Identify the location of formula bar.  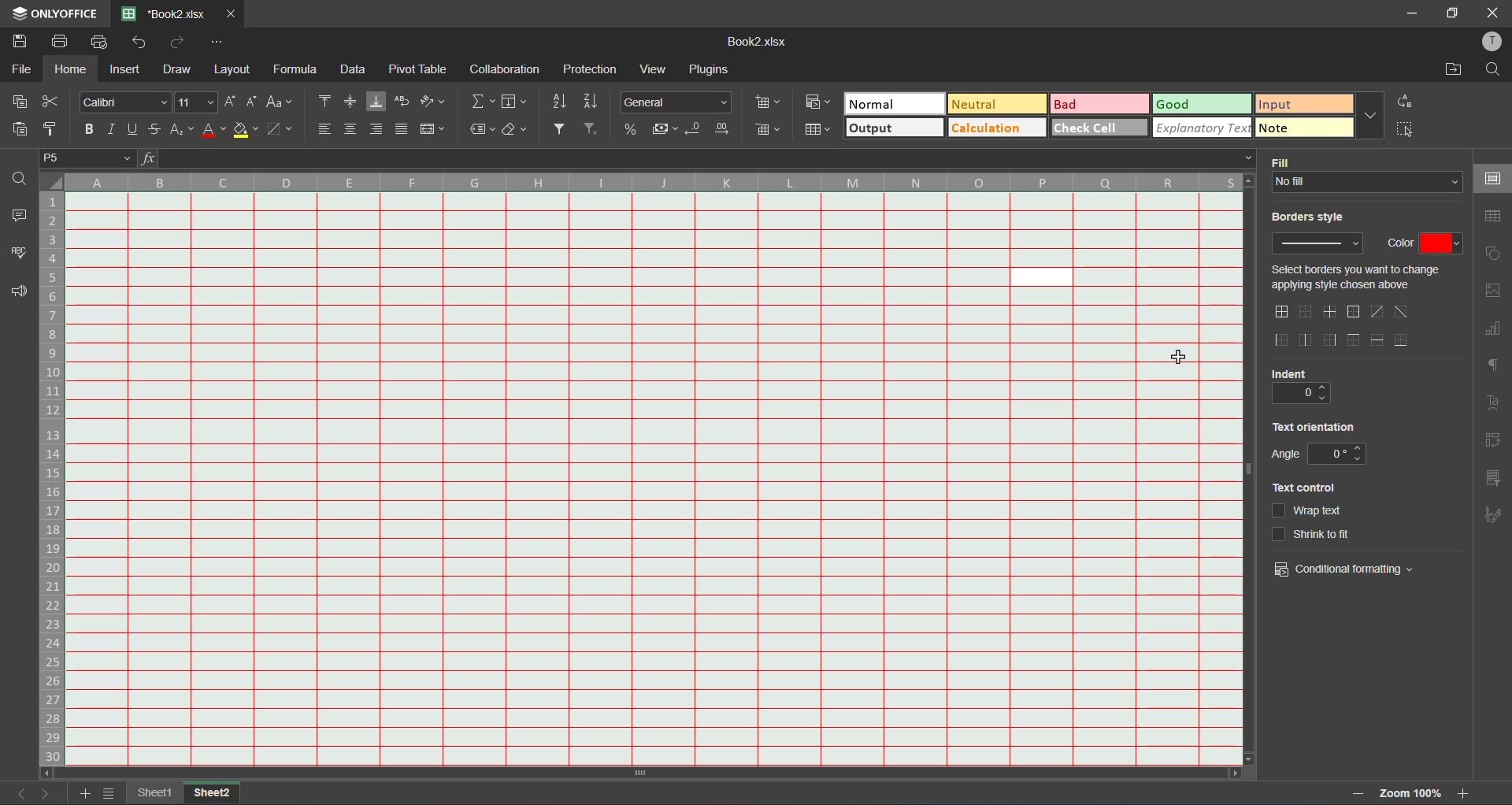
(710, 158).